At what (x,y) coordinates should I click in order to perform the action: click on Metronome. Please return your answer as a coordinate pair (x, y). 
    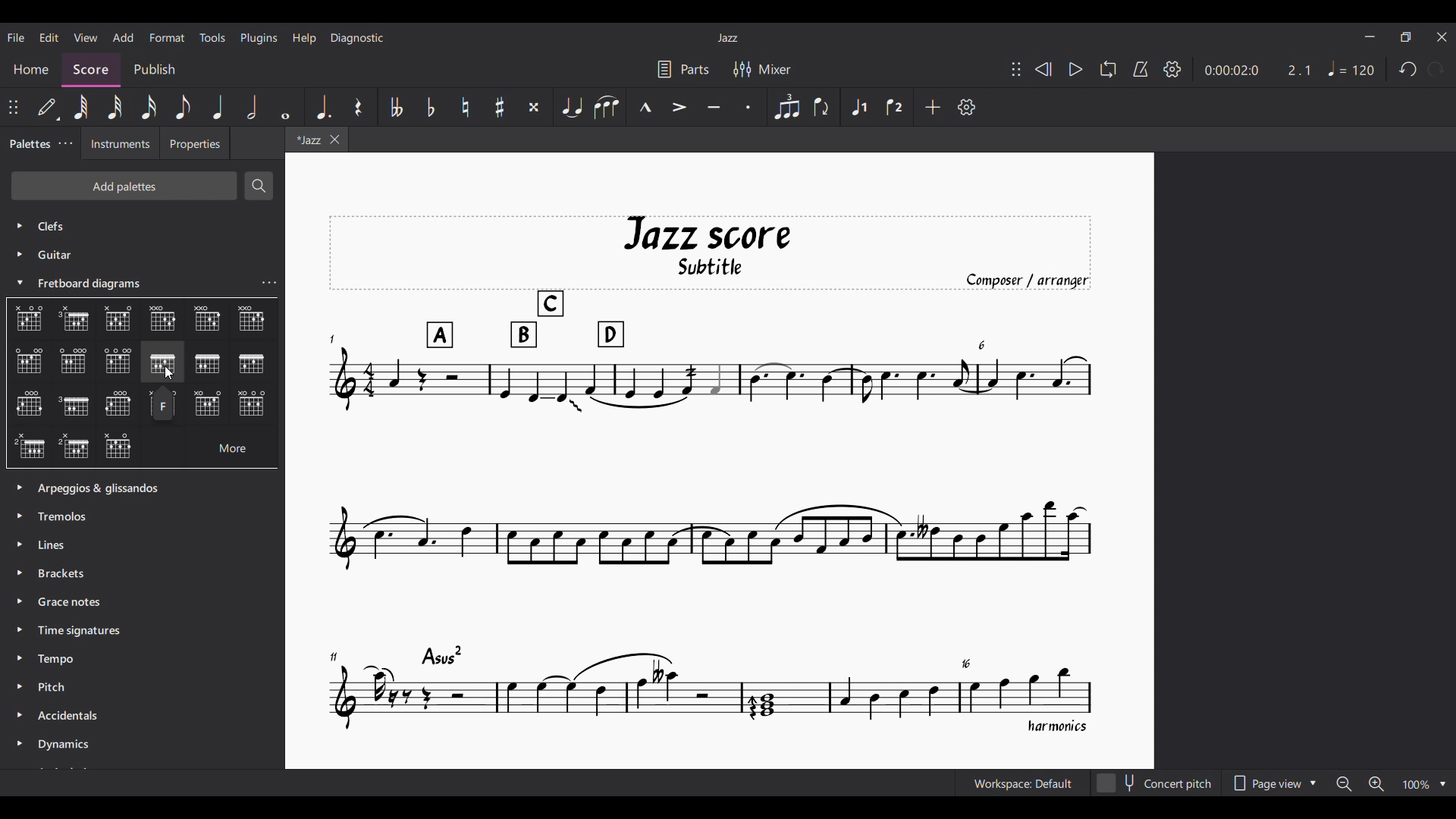
    Looking at the image, I should click on (1141, 70).